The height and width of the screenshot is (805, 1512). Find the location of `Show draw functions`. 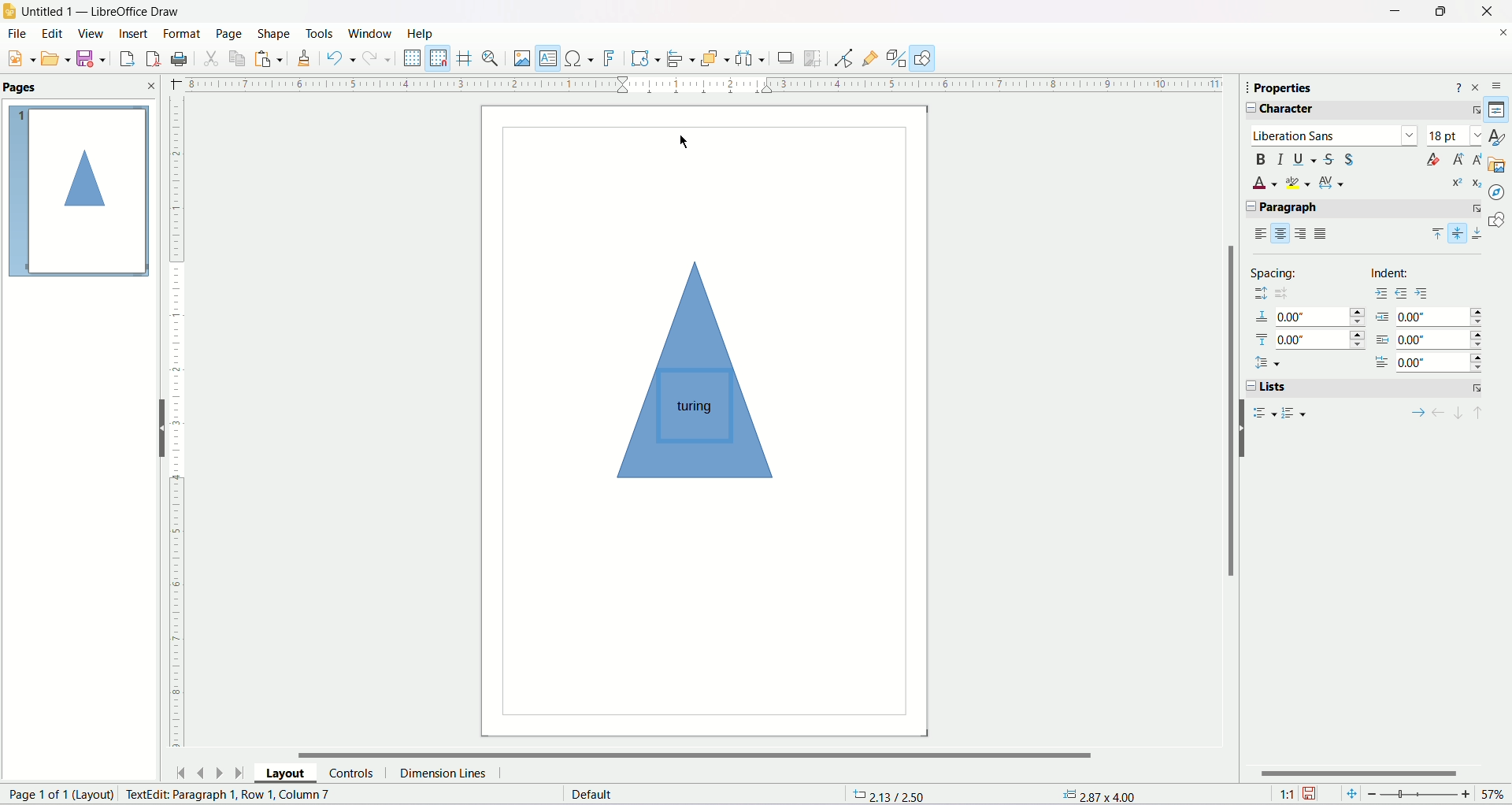

Show draw functions is located at coordinates (924, 57).